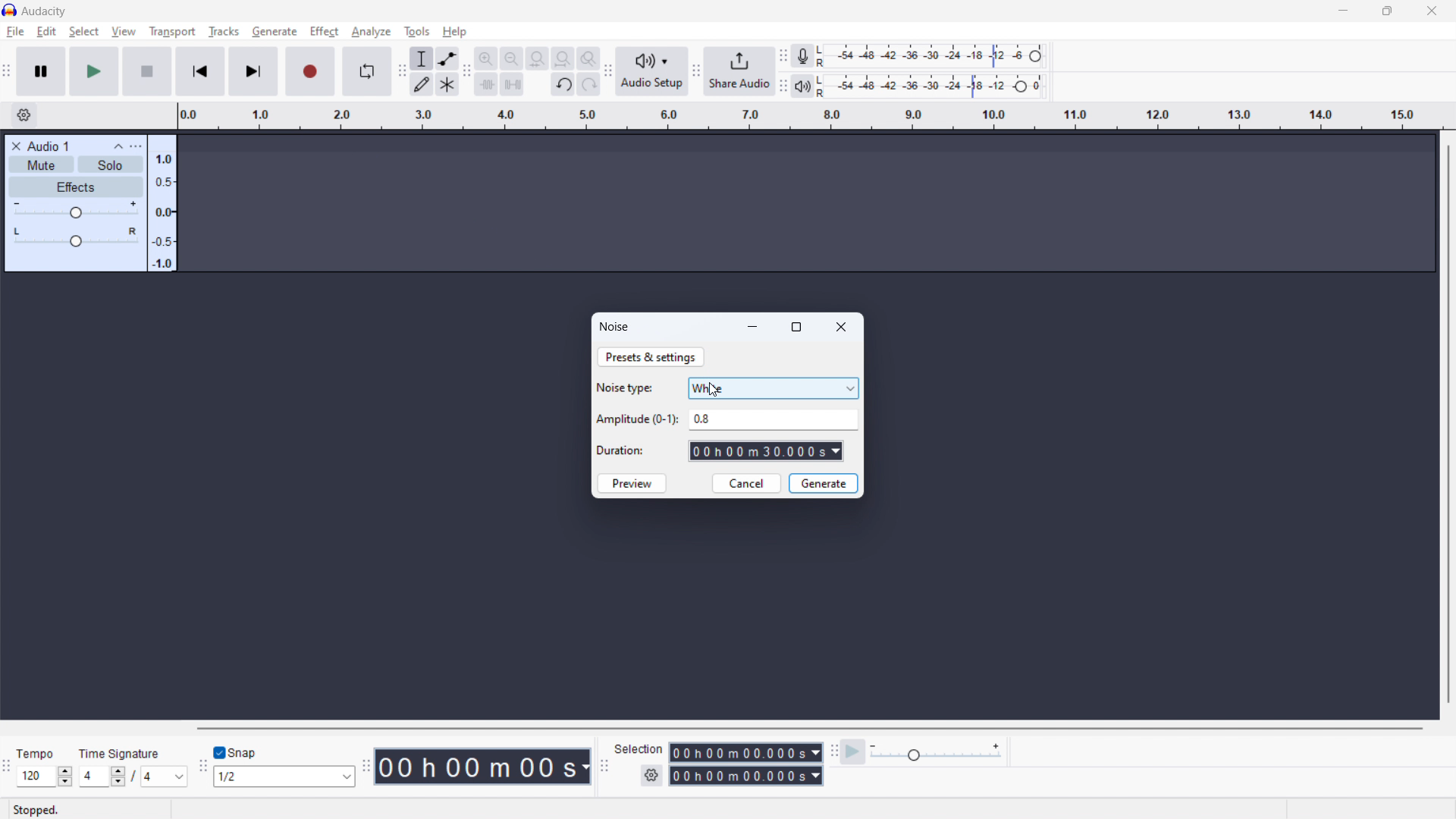 The width and height of the screenshot is (1456, 819). What do you see at coordinates (632, 483) in the screenshot?
I see `preview` at bounding box center [632, 483].